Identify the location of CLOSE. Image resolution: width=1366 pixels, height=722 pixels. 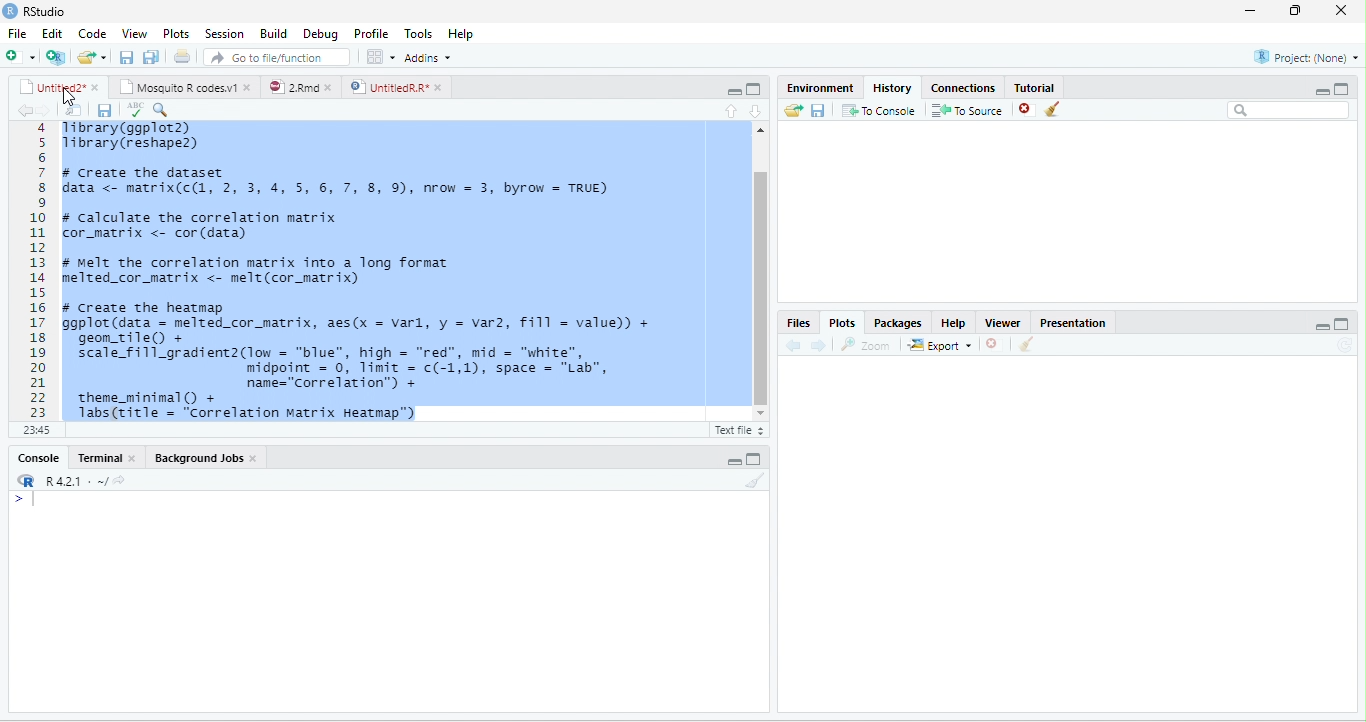
(995, 344).